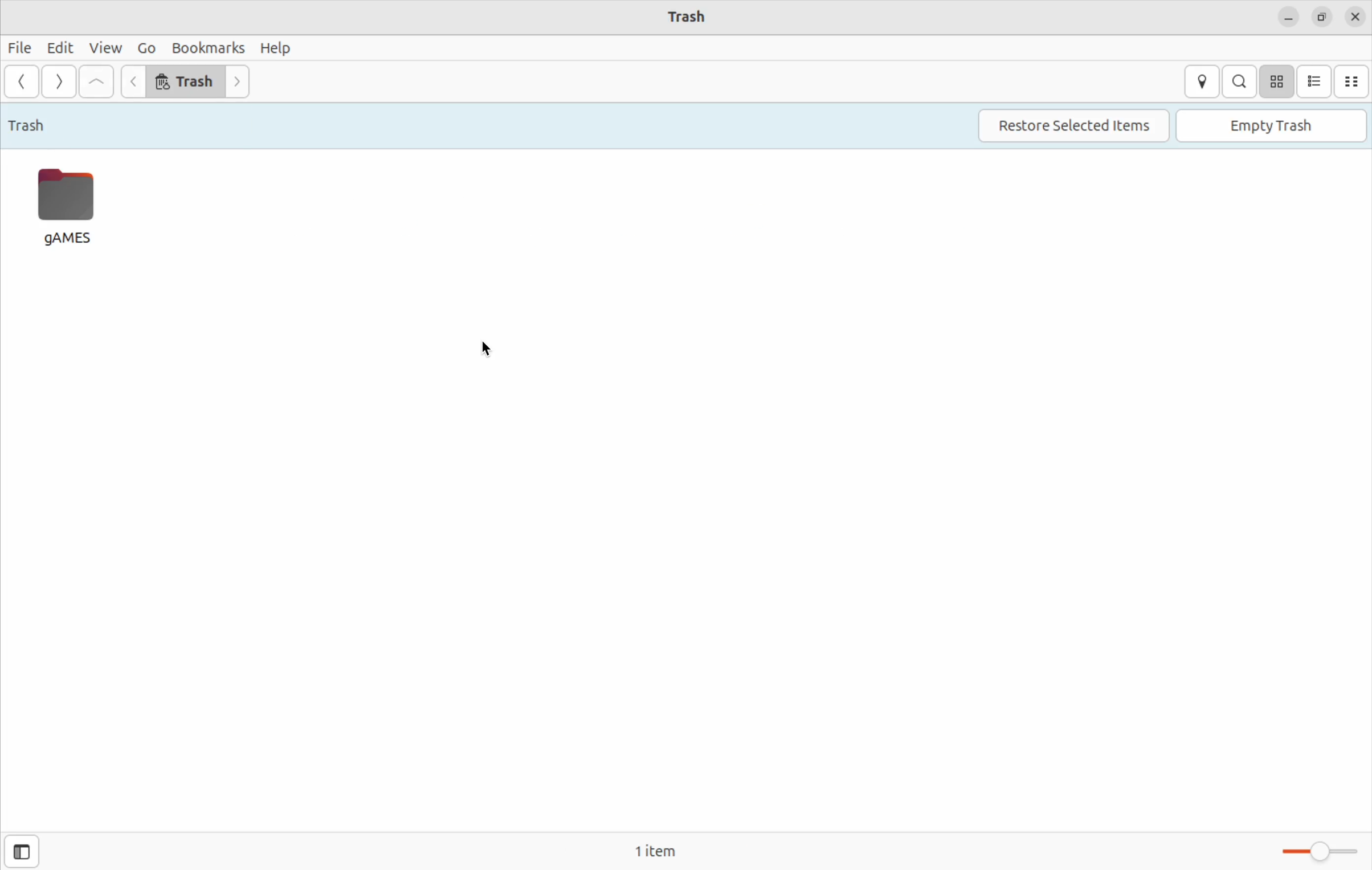  What do you see at coordinates (96, 81) in the screenshot?
I see `Go to first file` at bounding box center [96, 81].